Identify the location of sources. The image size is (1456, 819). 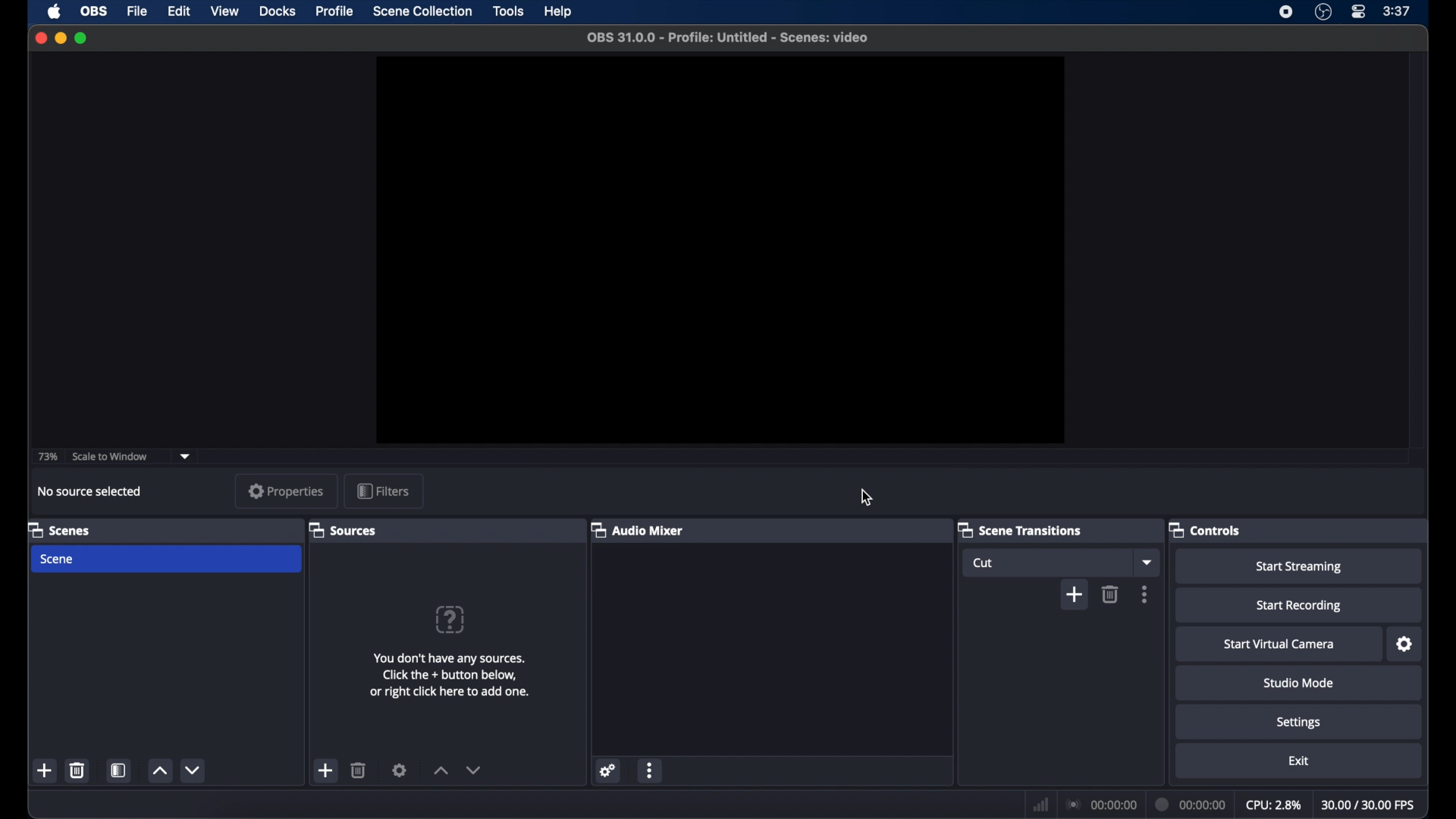
(342, 530).